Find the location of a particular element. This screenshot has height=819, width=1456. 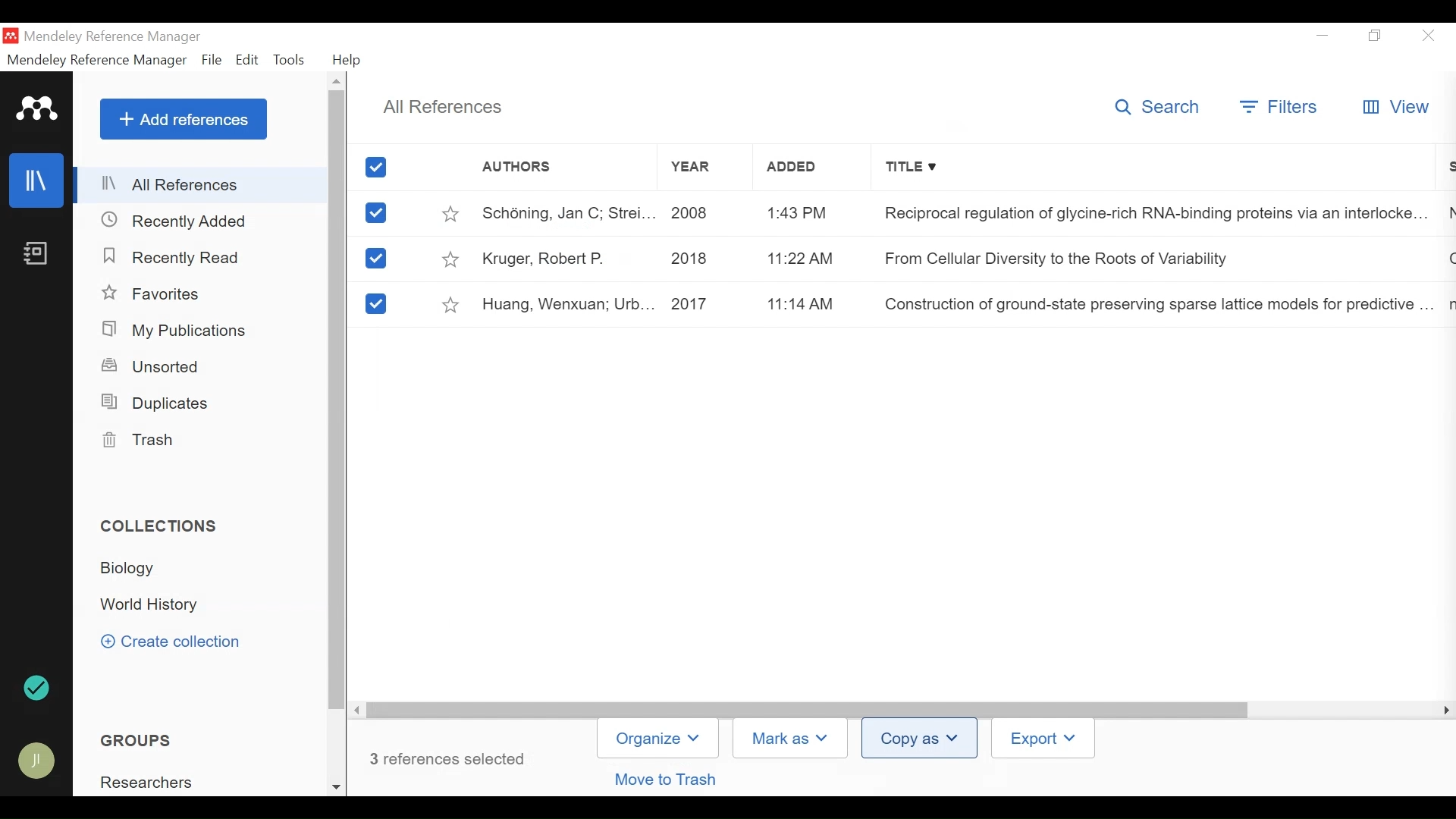

Authors is located at coordinates (563, 171).